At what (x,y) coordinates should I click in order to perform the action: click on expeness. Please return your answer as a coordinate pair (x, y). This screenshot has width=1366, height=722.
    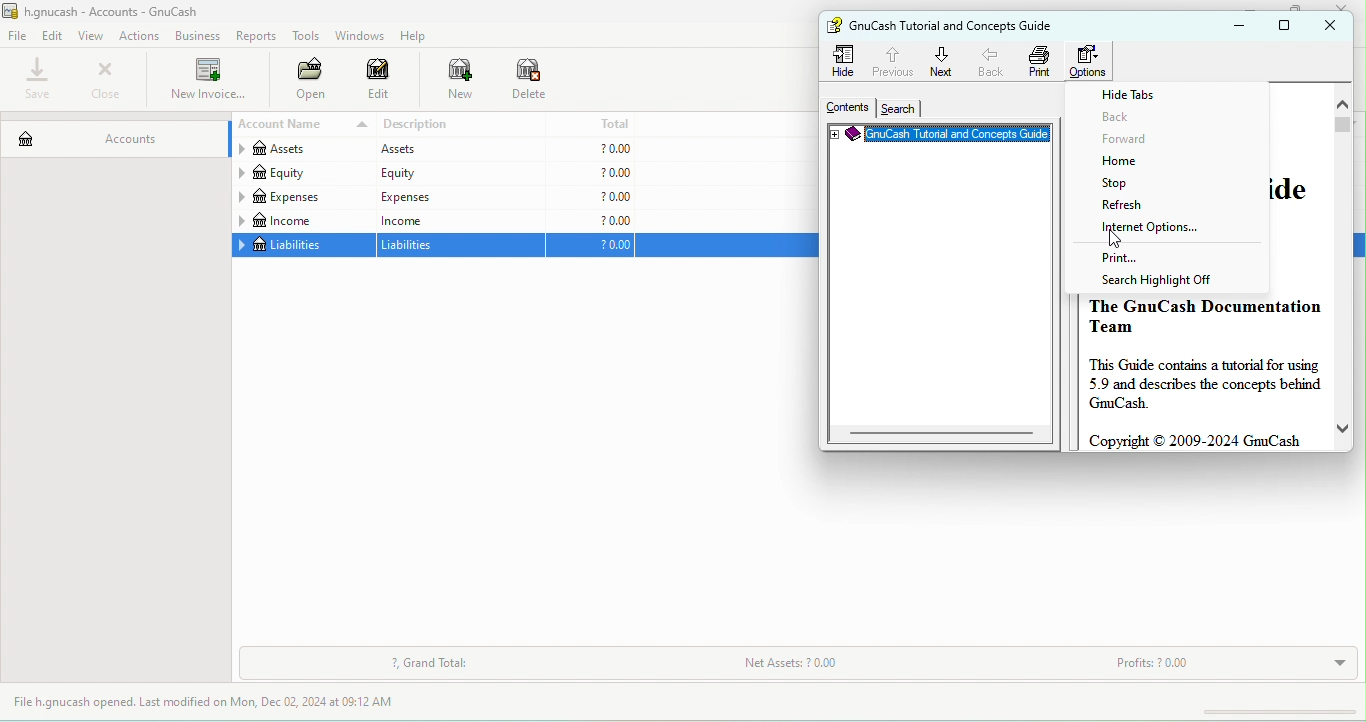
    Looking at the image, I should click on (457, 196).